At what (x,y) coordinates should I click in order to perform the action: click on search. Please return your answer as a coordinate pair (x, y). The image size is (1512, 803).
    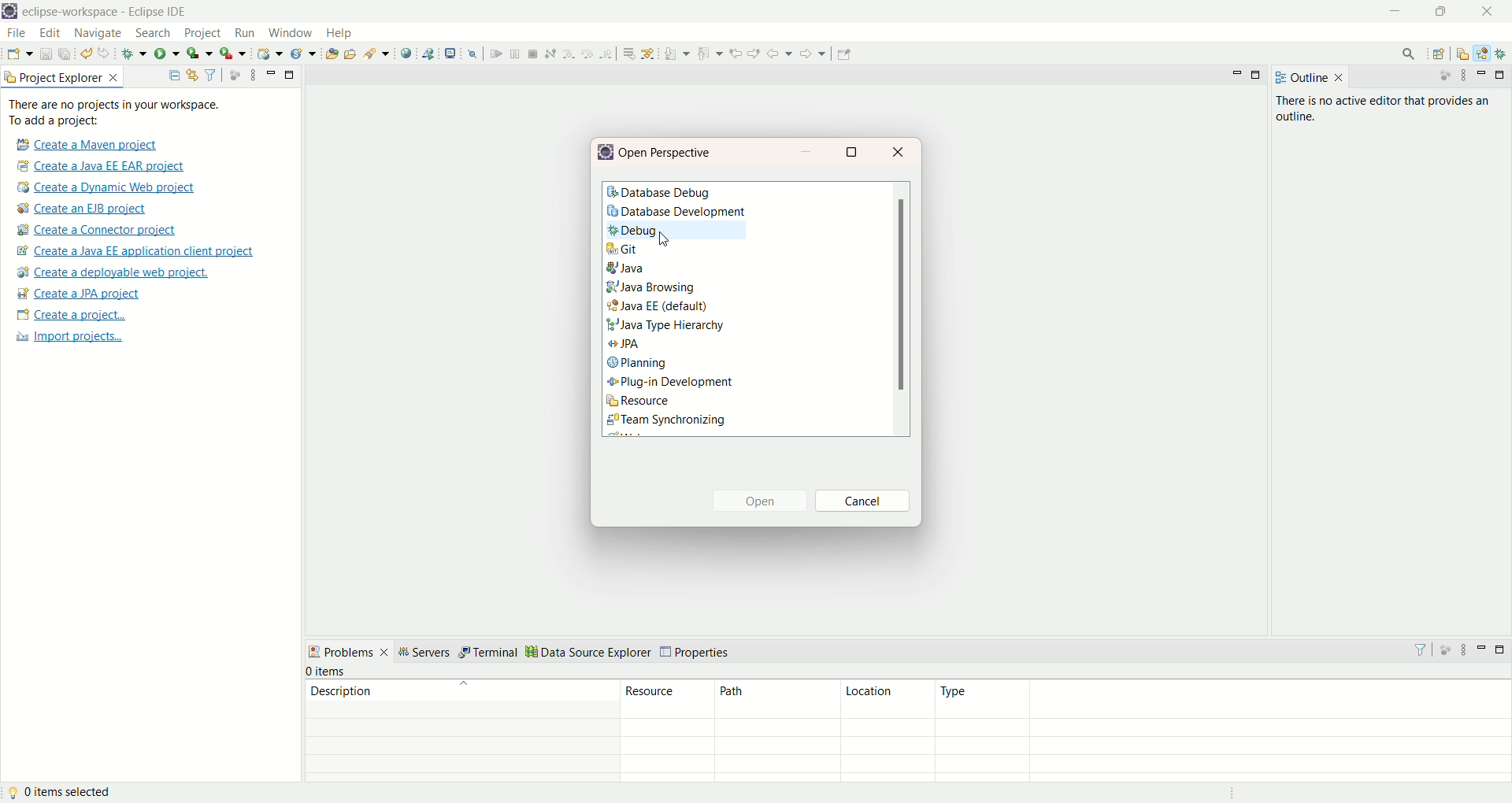
    Looking at the image, I should click on (376, 54).